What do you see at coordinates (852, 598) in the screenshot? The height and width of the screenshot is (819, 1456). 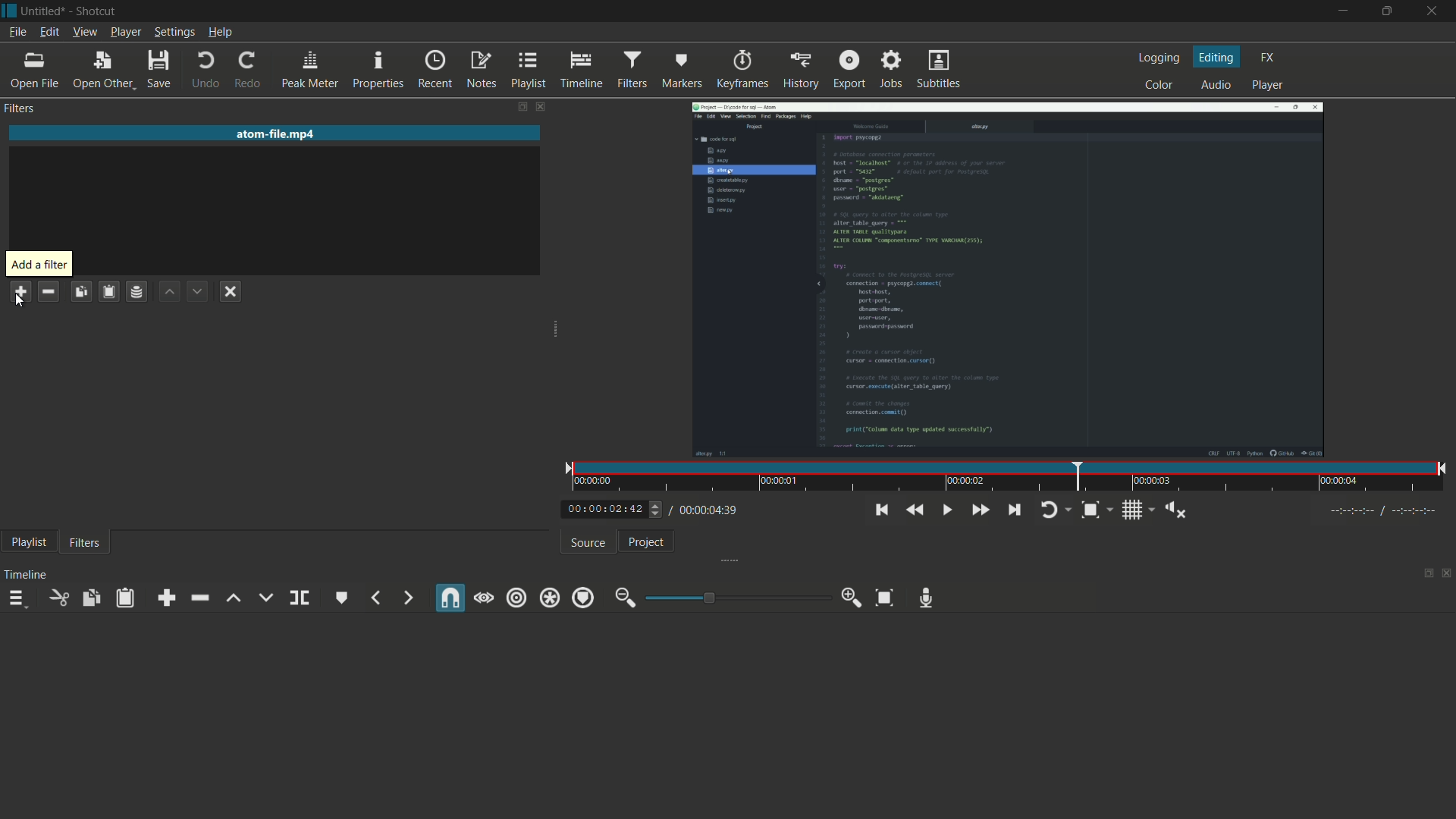 I see `zoom in` at bounding box center [852, 598].